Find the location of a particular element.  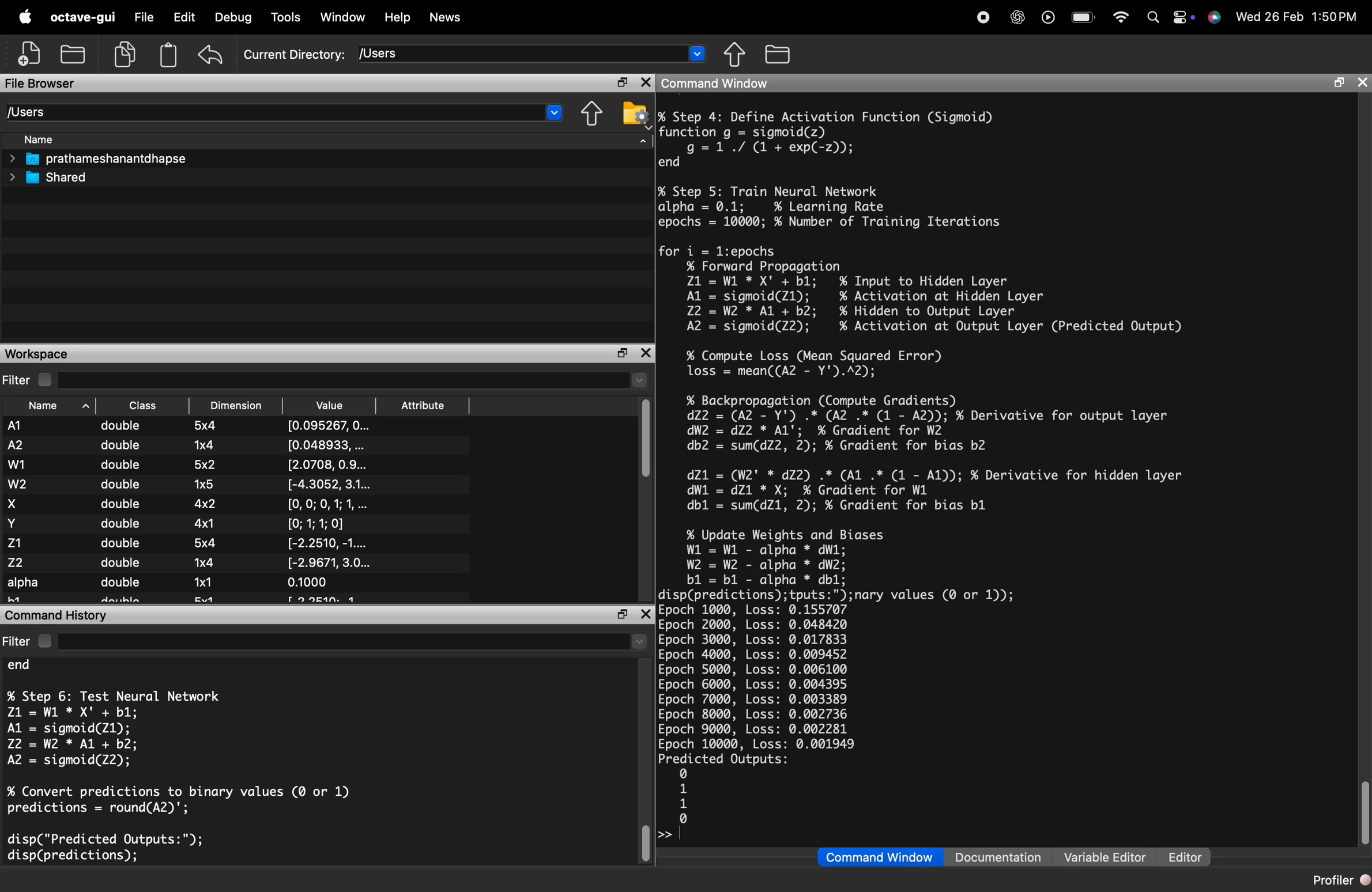

Scroll bar is located at coordinates (1363, 812).